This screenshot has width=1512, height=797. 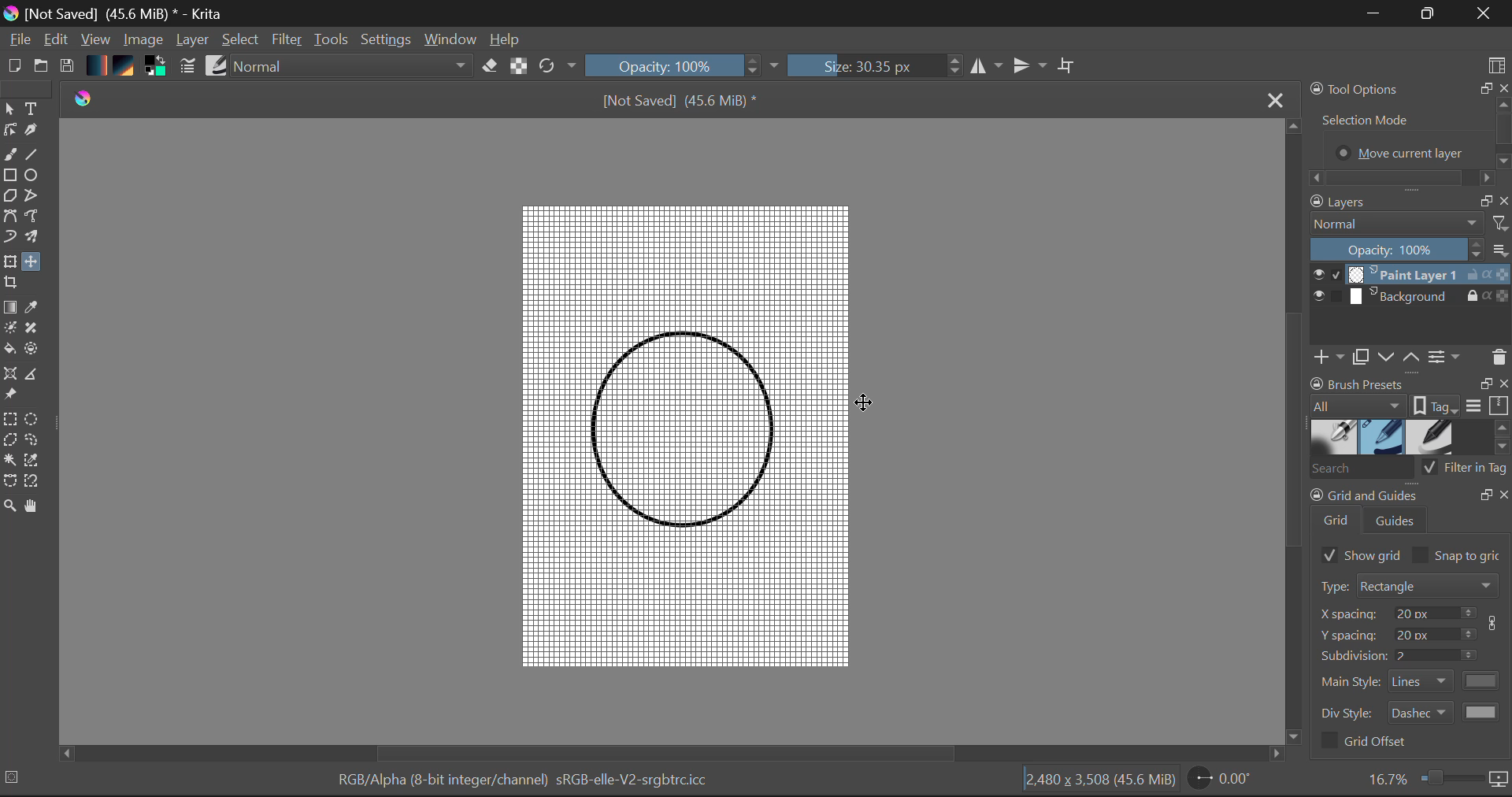 What do you see at coordinates (1410, 472) in the screenshot?
I see `Brush Presets Search` at bounding box center [1410, 472].